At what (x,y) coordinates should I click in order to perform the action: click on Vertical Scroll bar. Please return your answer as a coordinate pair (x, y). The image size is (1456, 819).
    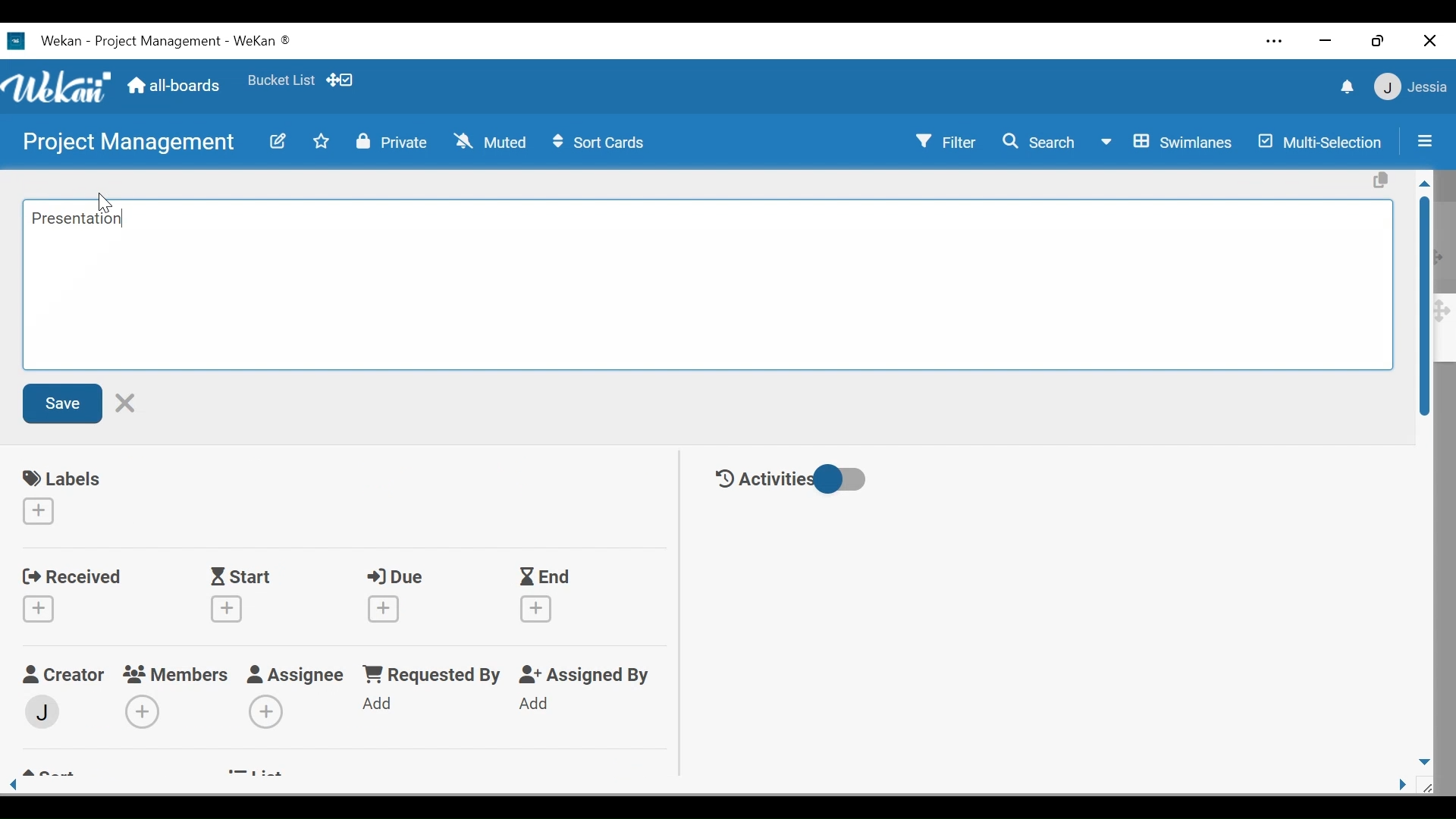
    Looking at the image, I should click on (1425, 325).